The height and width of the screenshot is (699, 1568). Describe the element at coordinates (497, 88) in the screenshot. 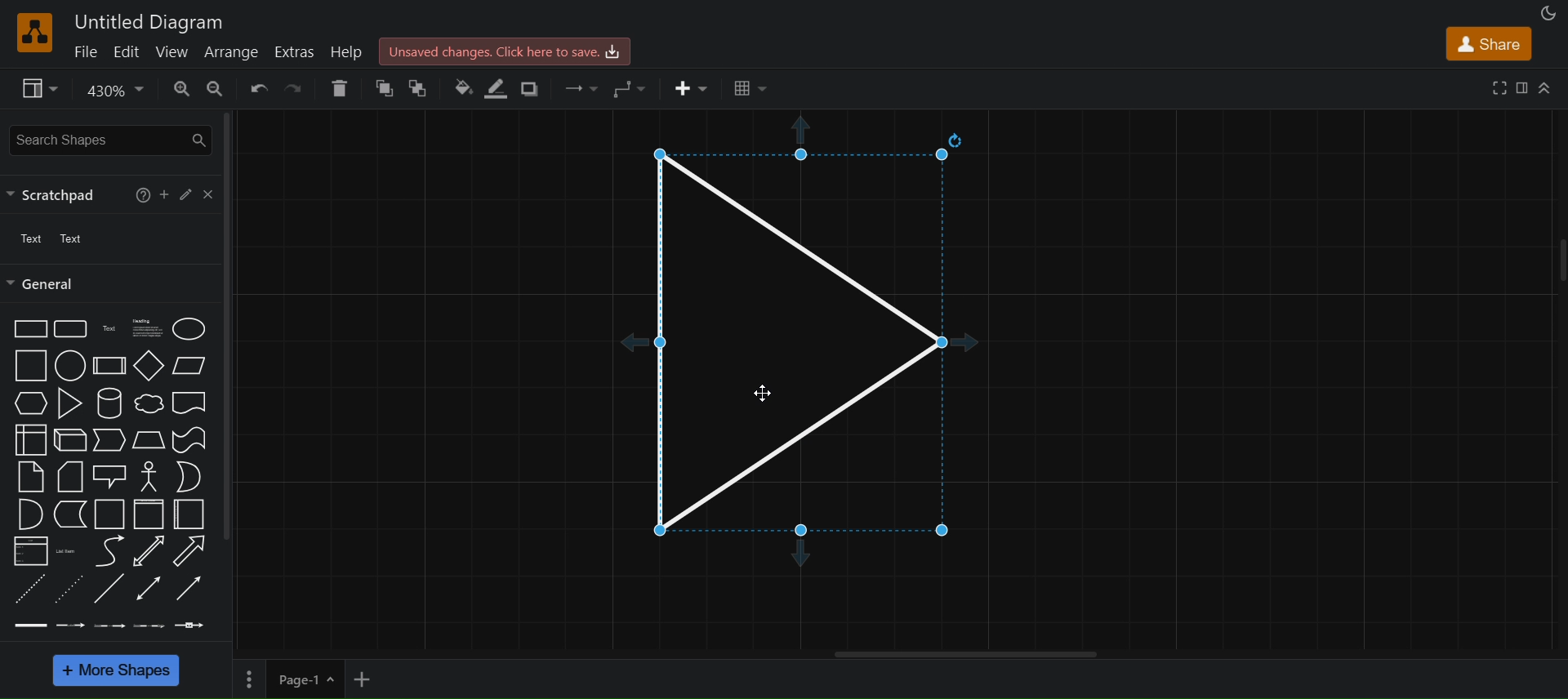

I see `line color` at that location.